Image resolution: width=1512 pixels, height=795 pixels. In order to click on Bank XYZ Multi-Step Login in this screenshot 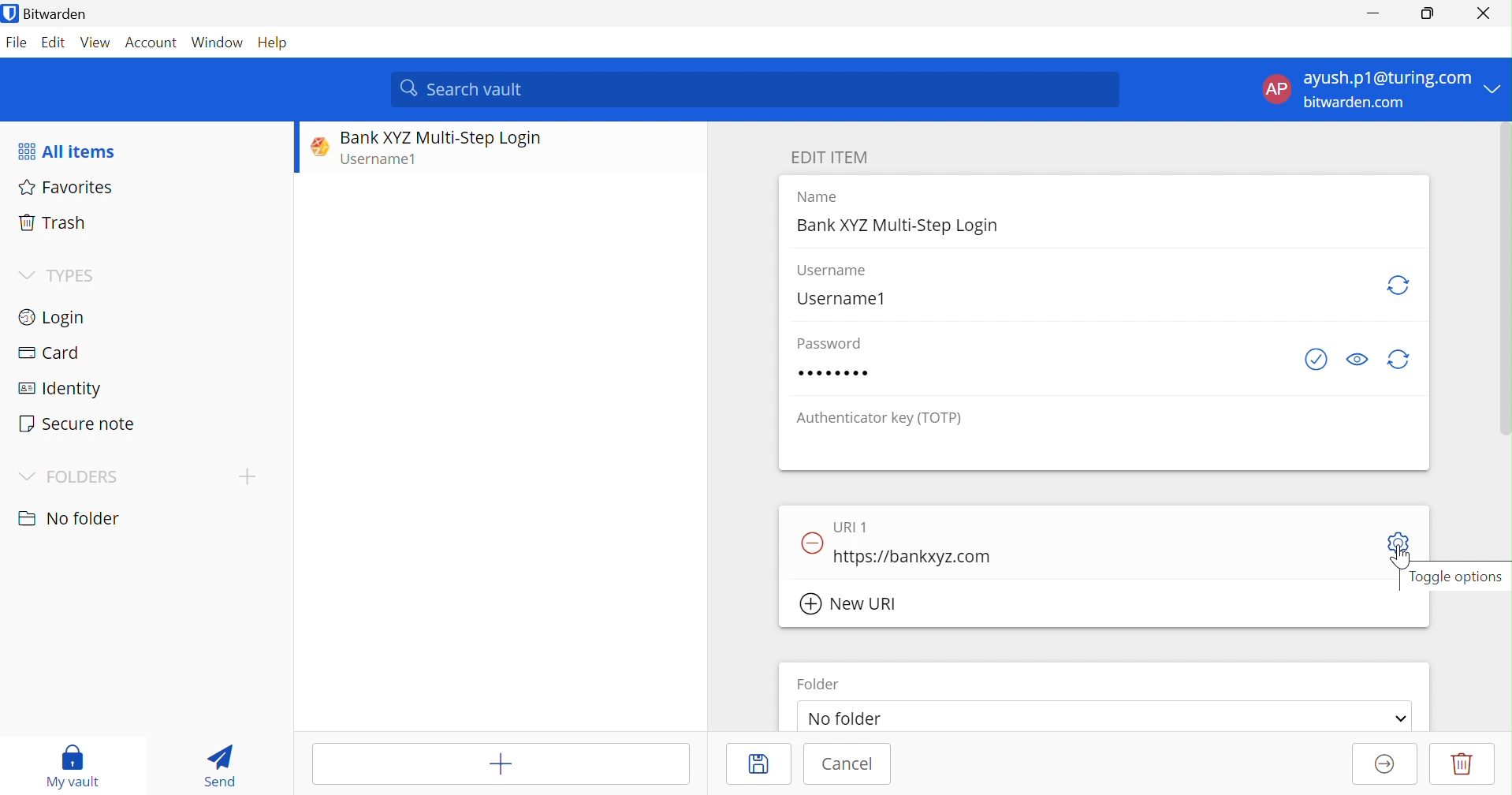, I will do `click(900, 226)`.